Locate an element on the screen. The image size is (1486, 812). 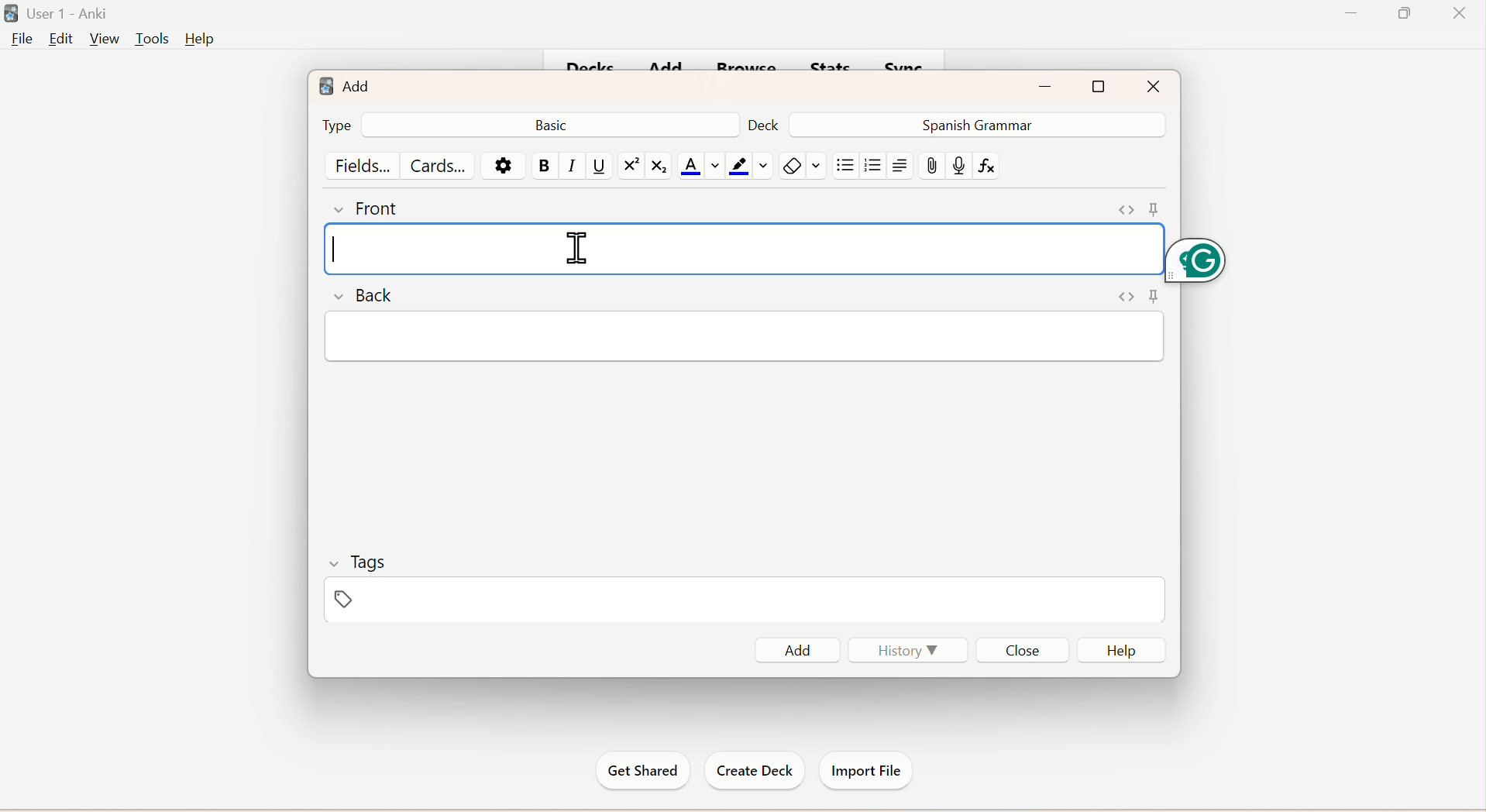
Underline is located at coordinates (600, 167).